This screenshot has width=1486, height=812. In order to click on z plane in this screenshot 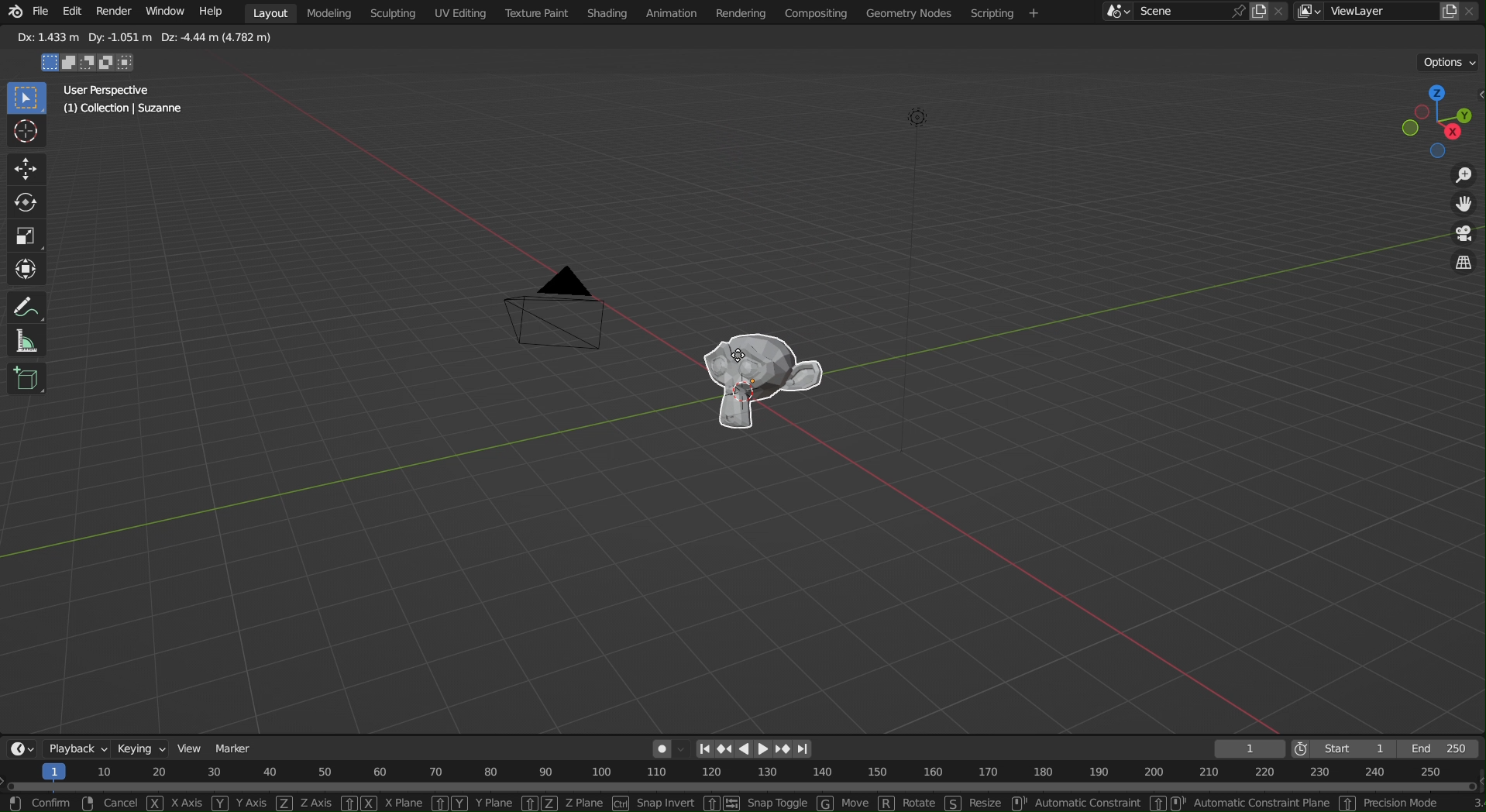, I will do `click(584, 802)`.